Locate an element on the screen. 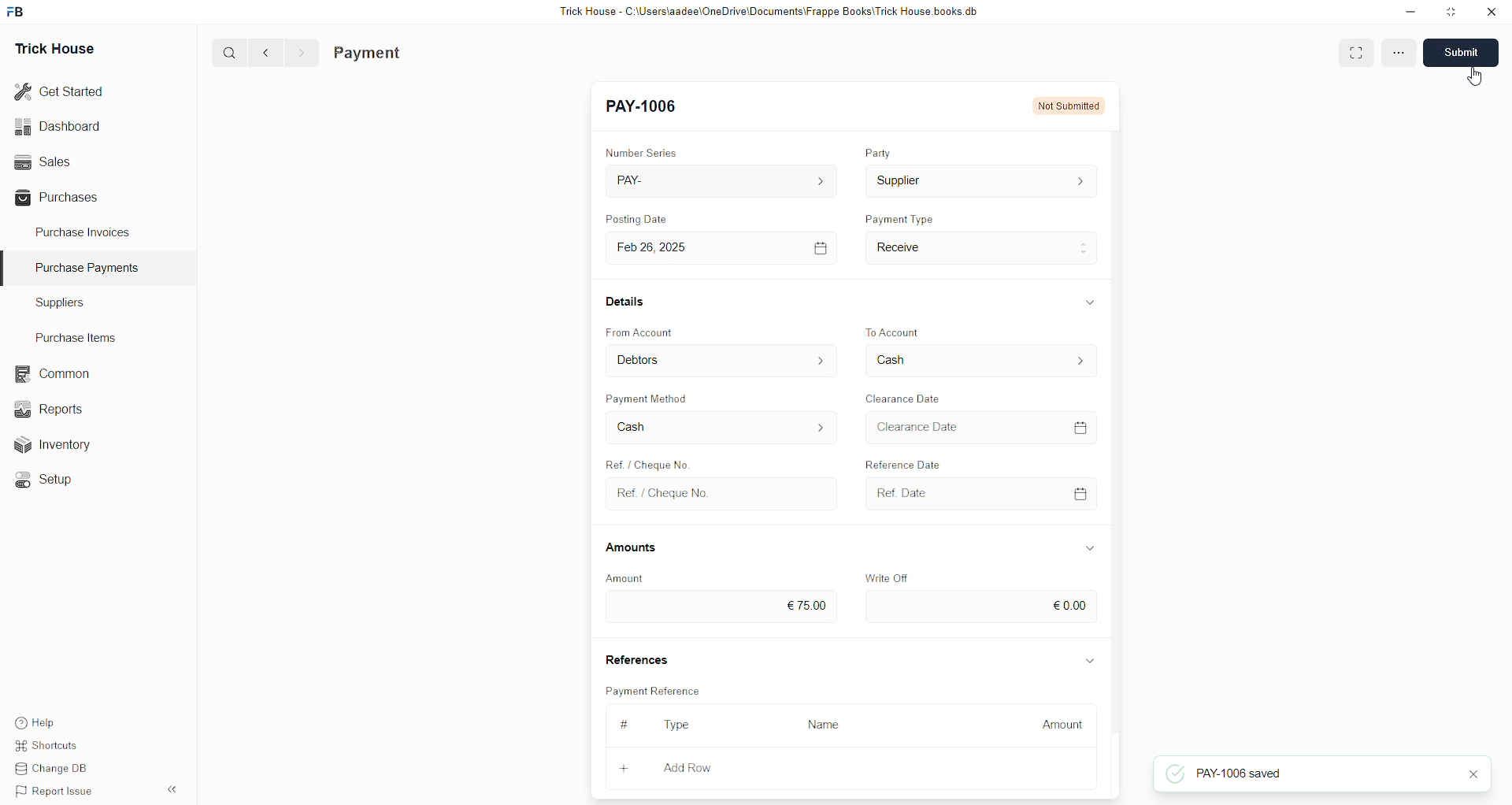 This screenshot has height=805, width=1512. Add Row is located at coordinates (687, 767).